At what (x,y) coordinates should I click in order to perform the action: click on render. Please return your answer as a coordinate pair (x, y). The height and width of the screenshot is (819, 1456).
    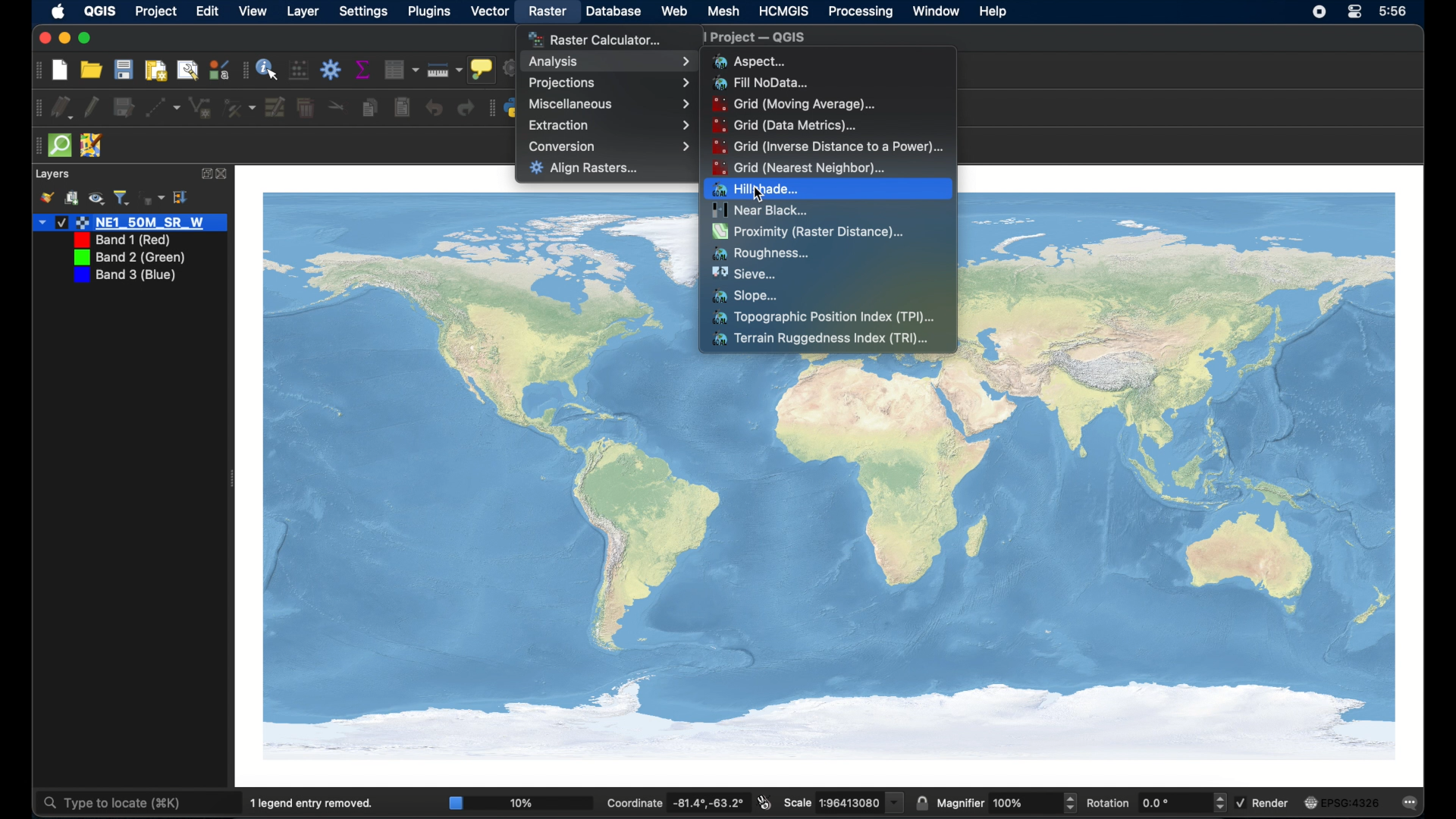
    Looking at the image, I should click on (1262, 802).